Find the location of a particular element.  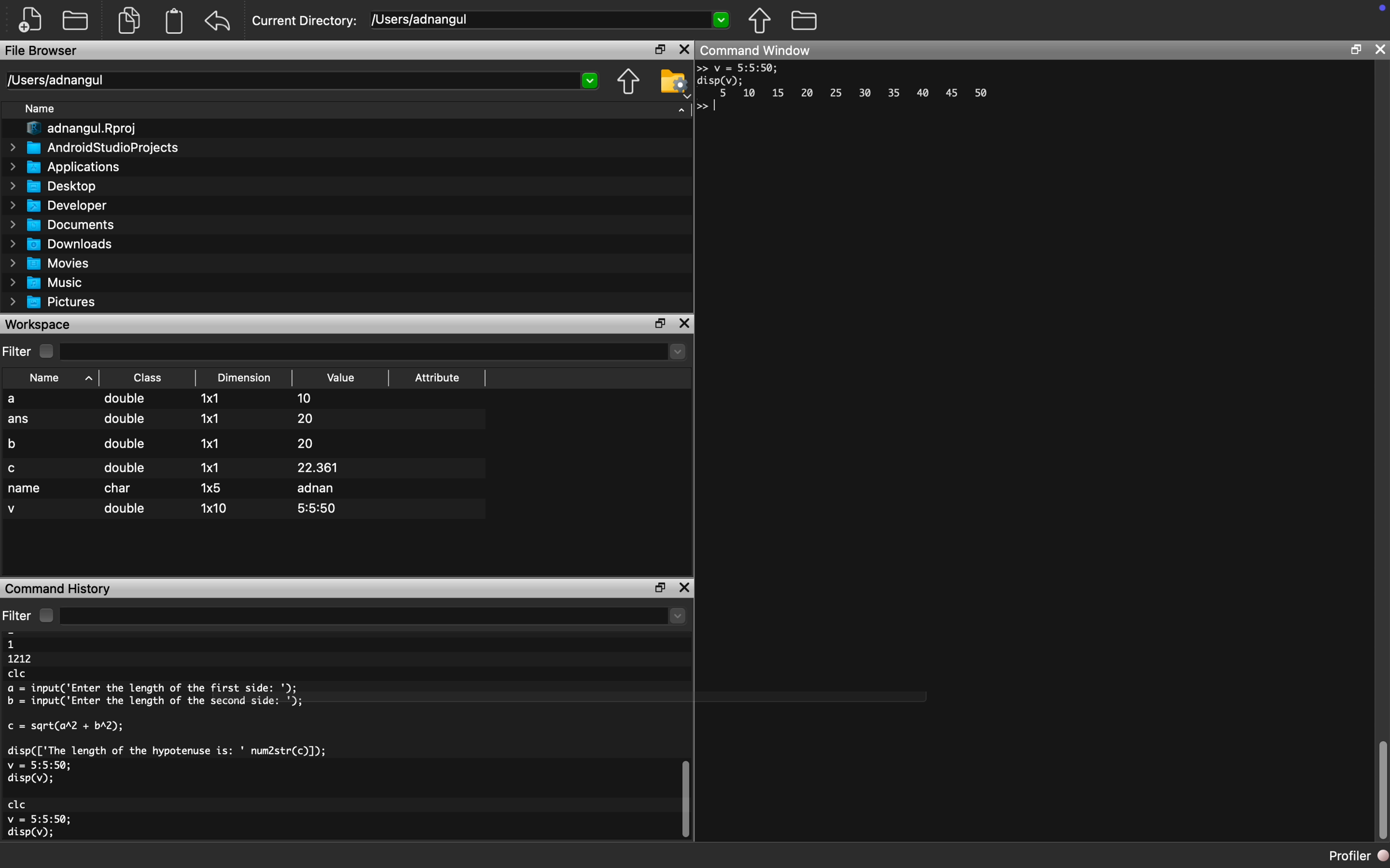

Current Directory: is located at coordinates (302, 20).